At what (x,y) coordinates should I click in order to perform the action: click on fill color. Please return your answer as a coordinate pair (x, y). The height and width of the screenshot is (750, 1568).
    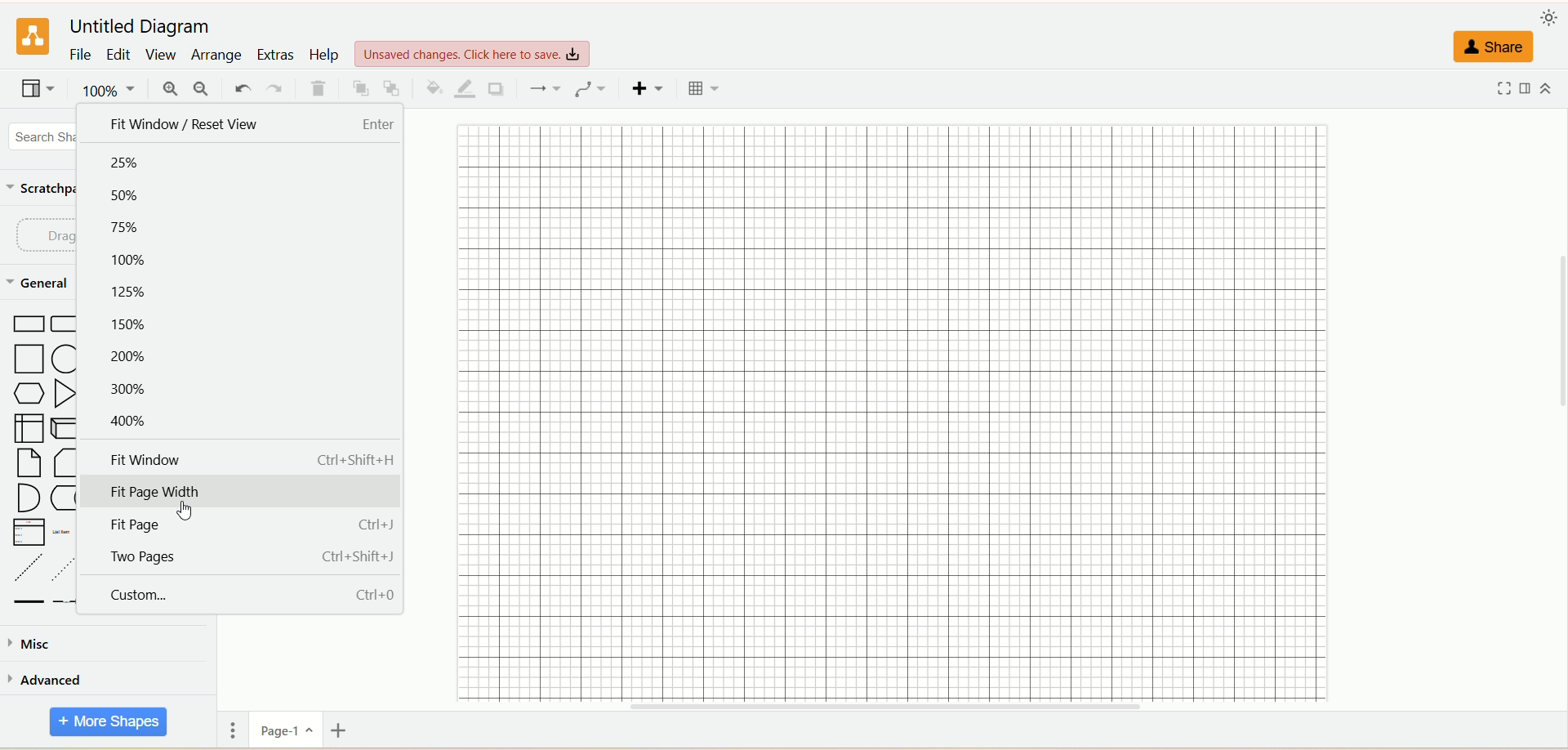
    Looking at the image, I should click on (434, 89).